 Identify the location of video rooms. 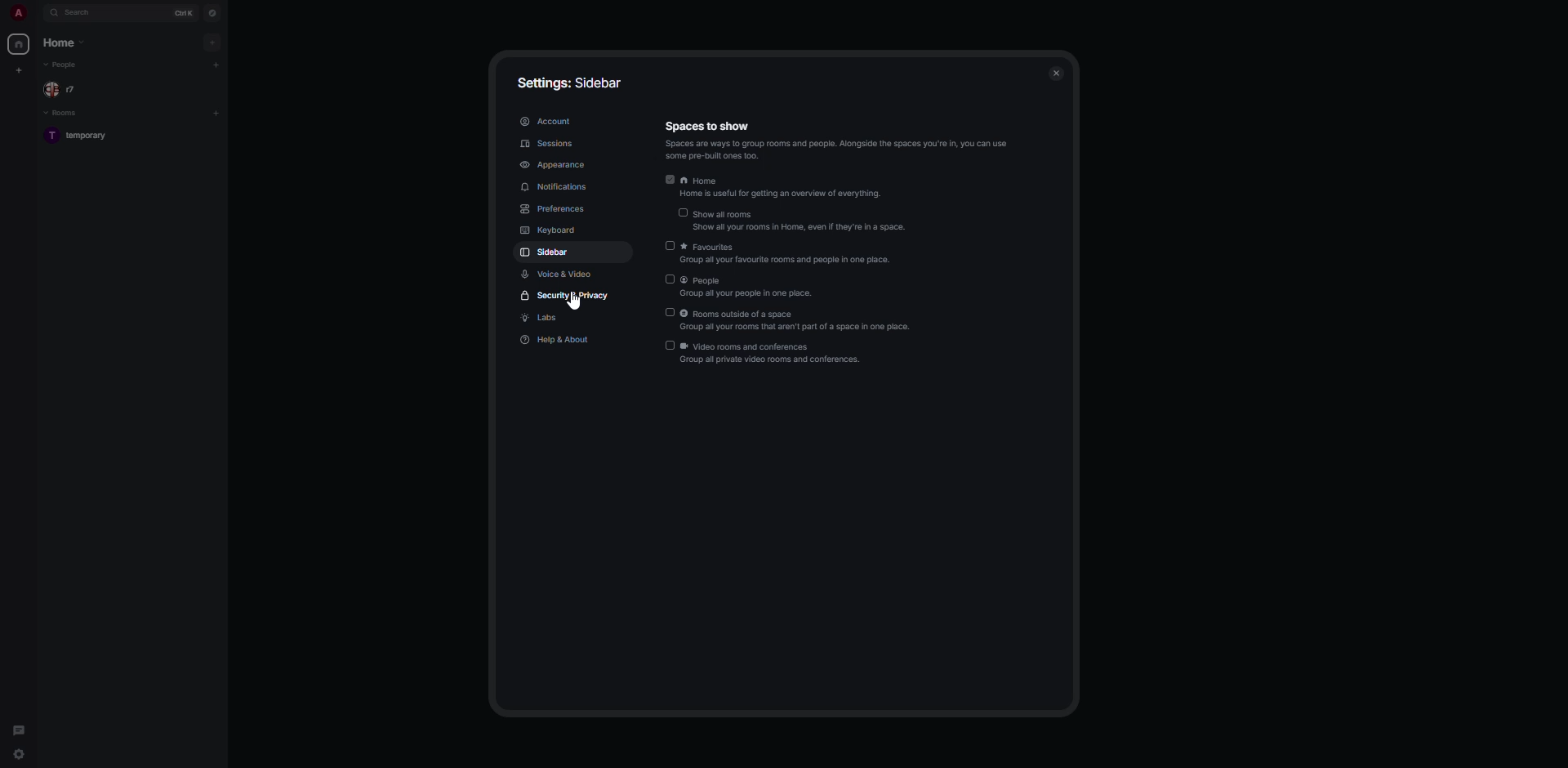
(764, 355).